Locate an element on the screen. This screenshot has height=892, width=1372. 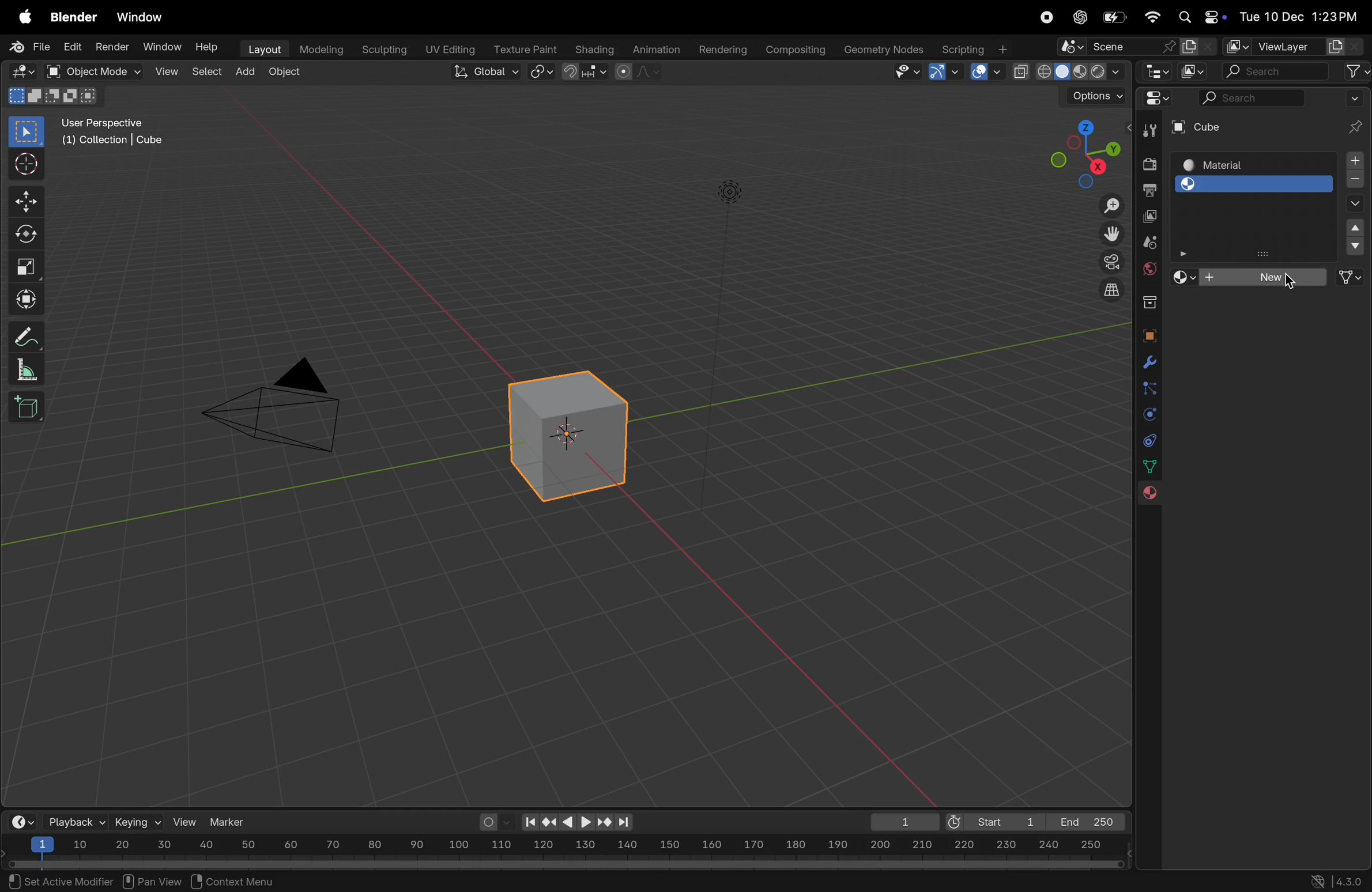
Composting is located at coordinates (796, 50).